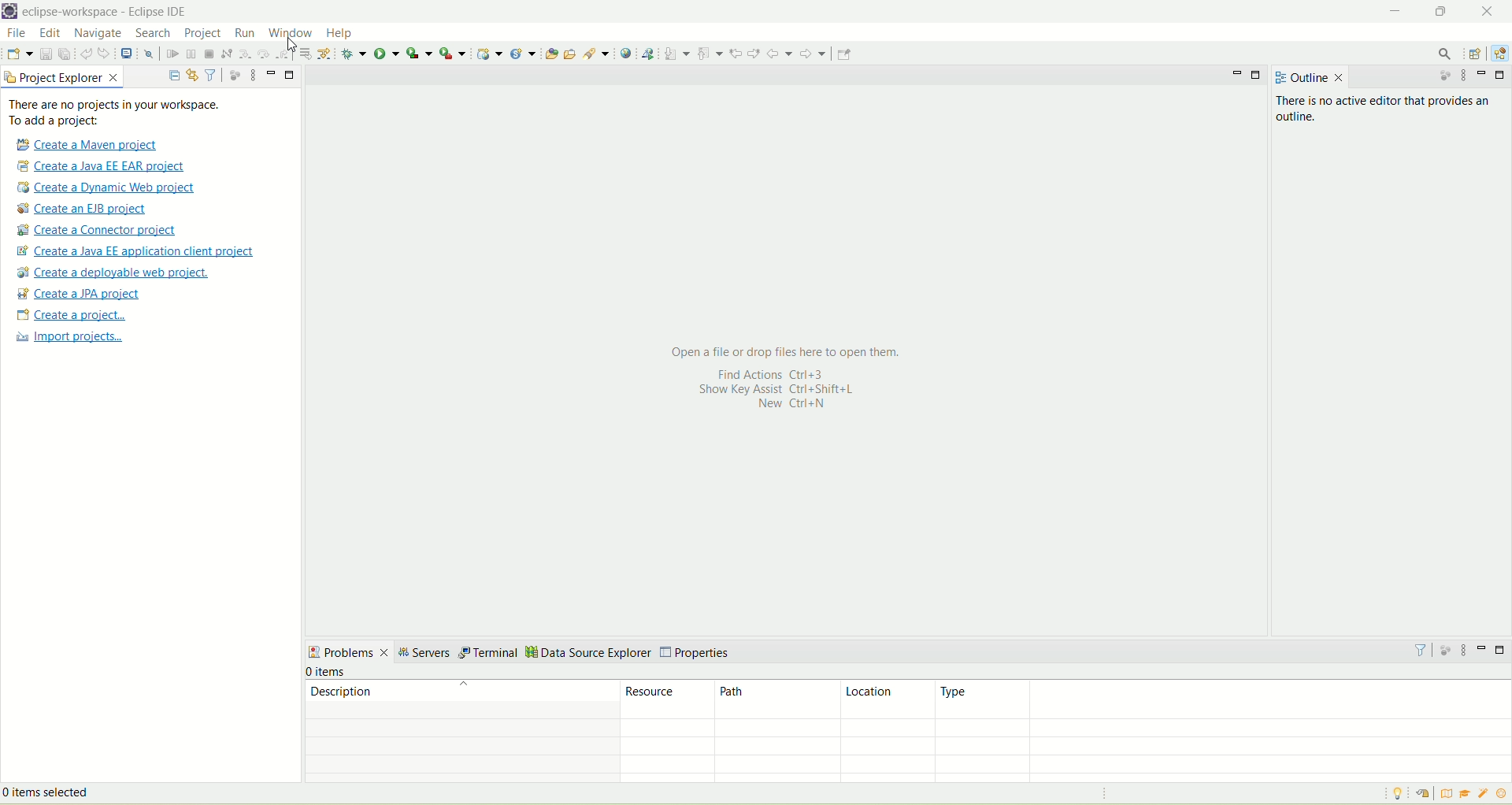  Describe the element at coordinates (1484, 76) in the screenshot. I see `minimize` at that location.